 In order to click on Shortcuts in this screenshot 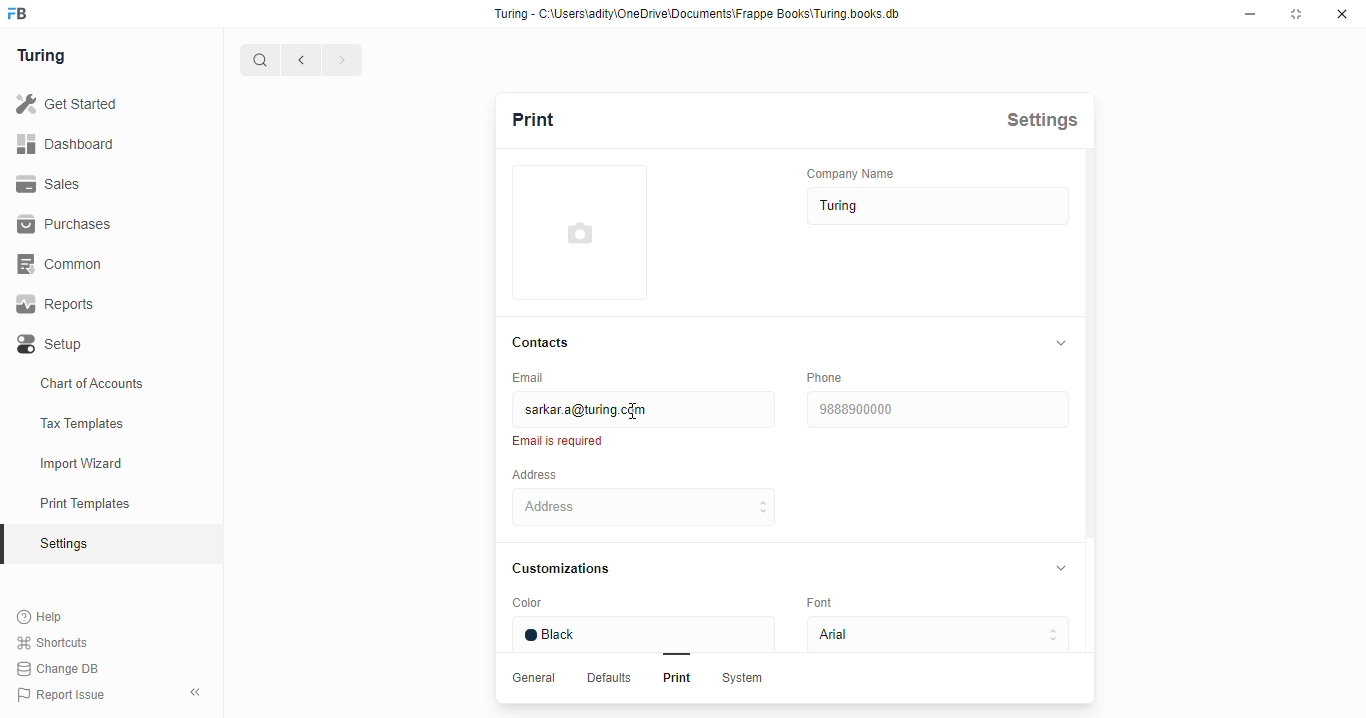, I will do `click(57, 642)`.